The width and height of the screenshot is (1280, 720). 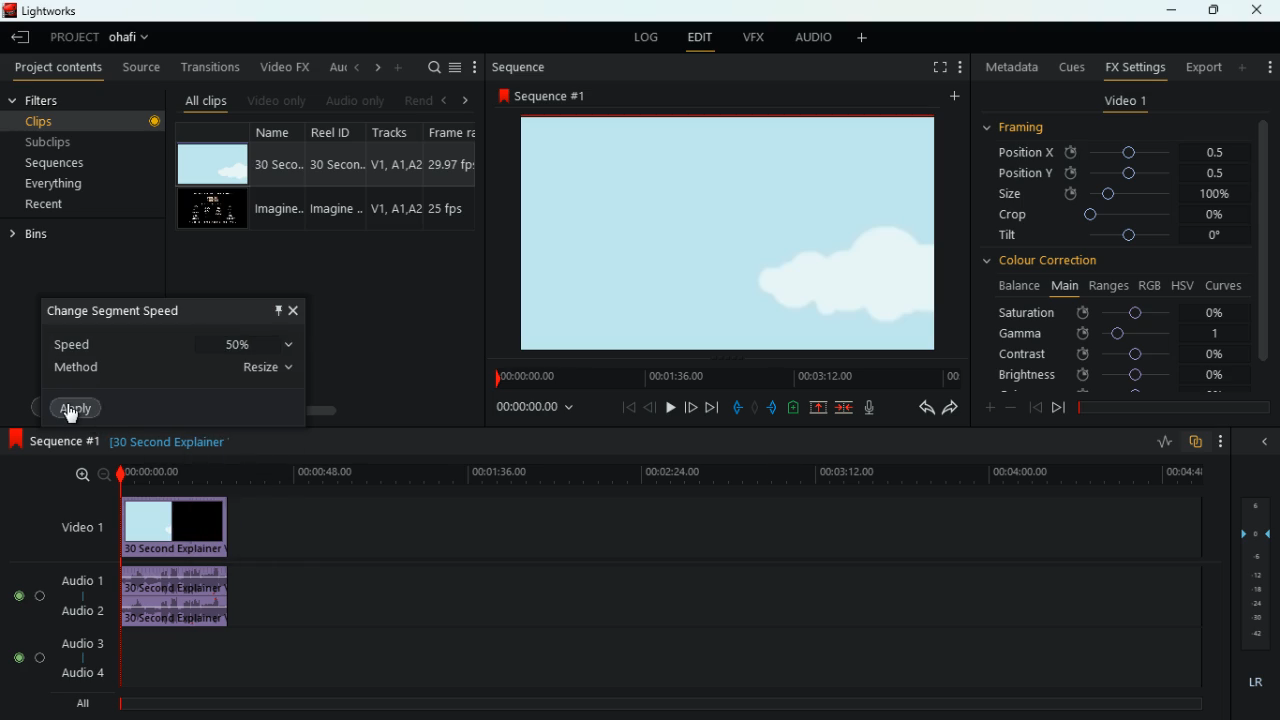 I want to click on close, so click(x=294, y=309).